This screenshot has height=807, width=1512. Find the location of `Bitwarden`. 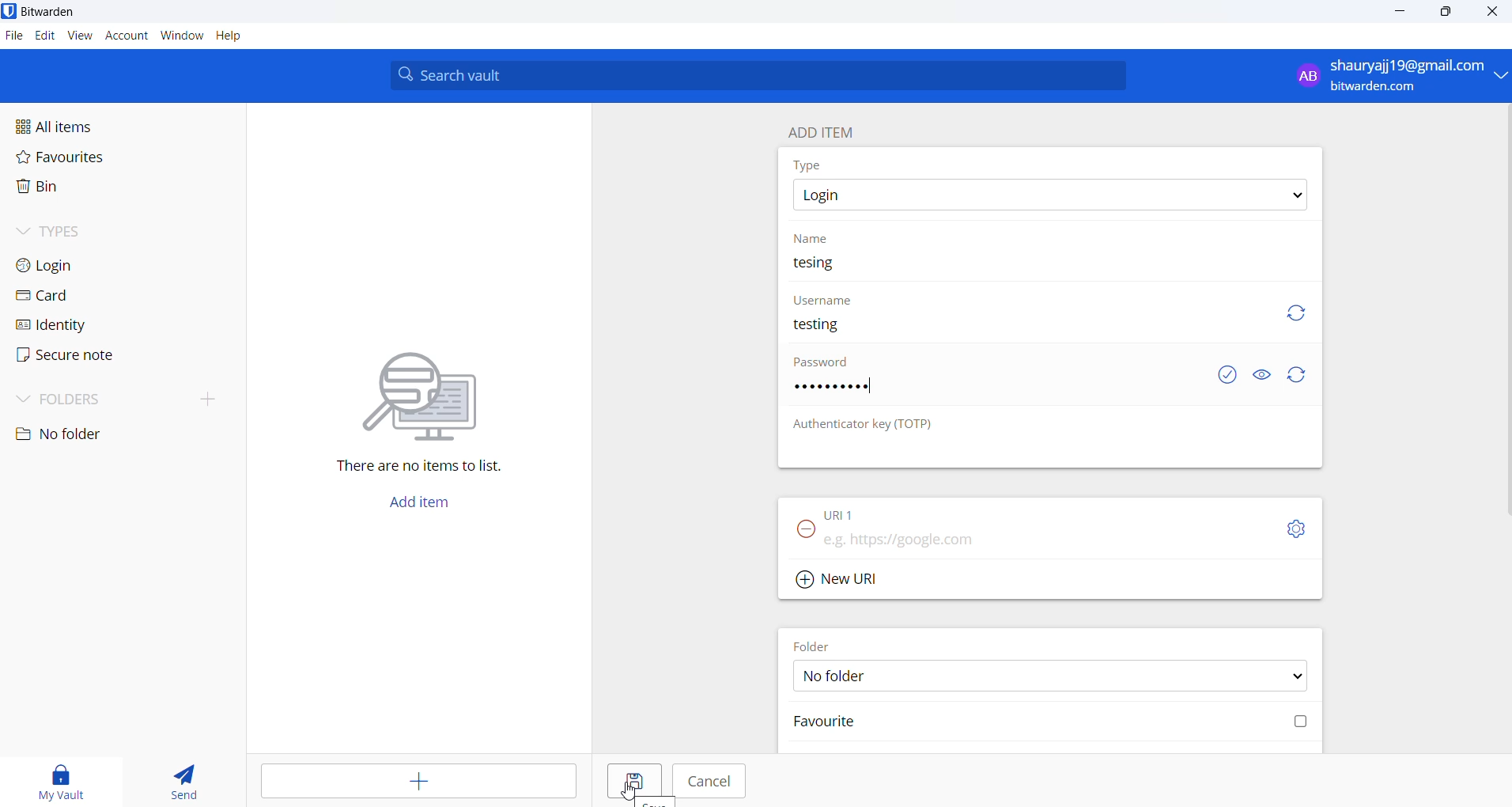

Bitwarden is located at coordinates (54, 12).